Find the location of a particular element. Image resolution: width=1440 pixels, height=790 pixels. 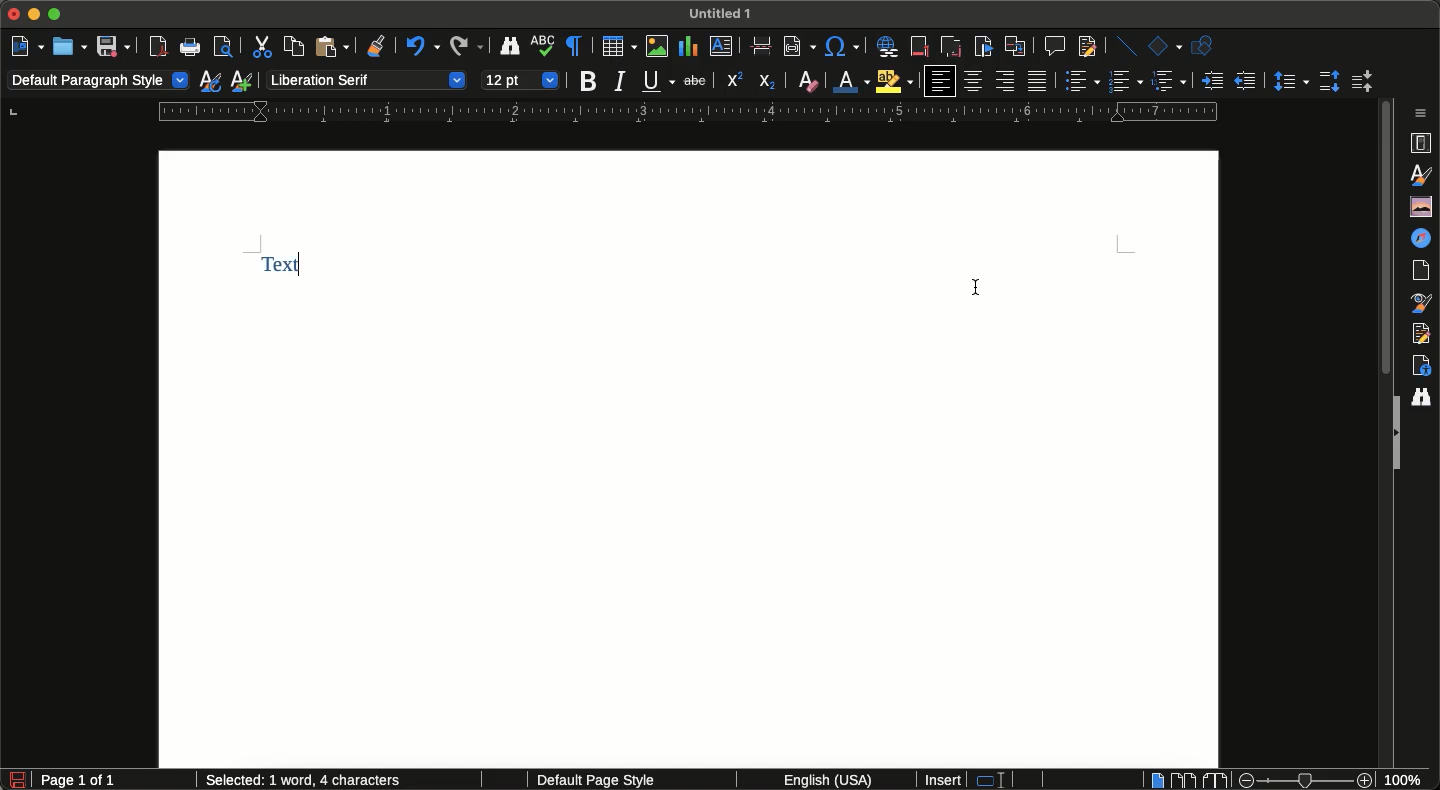

Clone formatting is located at coordinates (378, 48).